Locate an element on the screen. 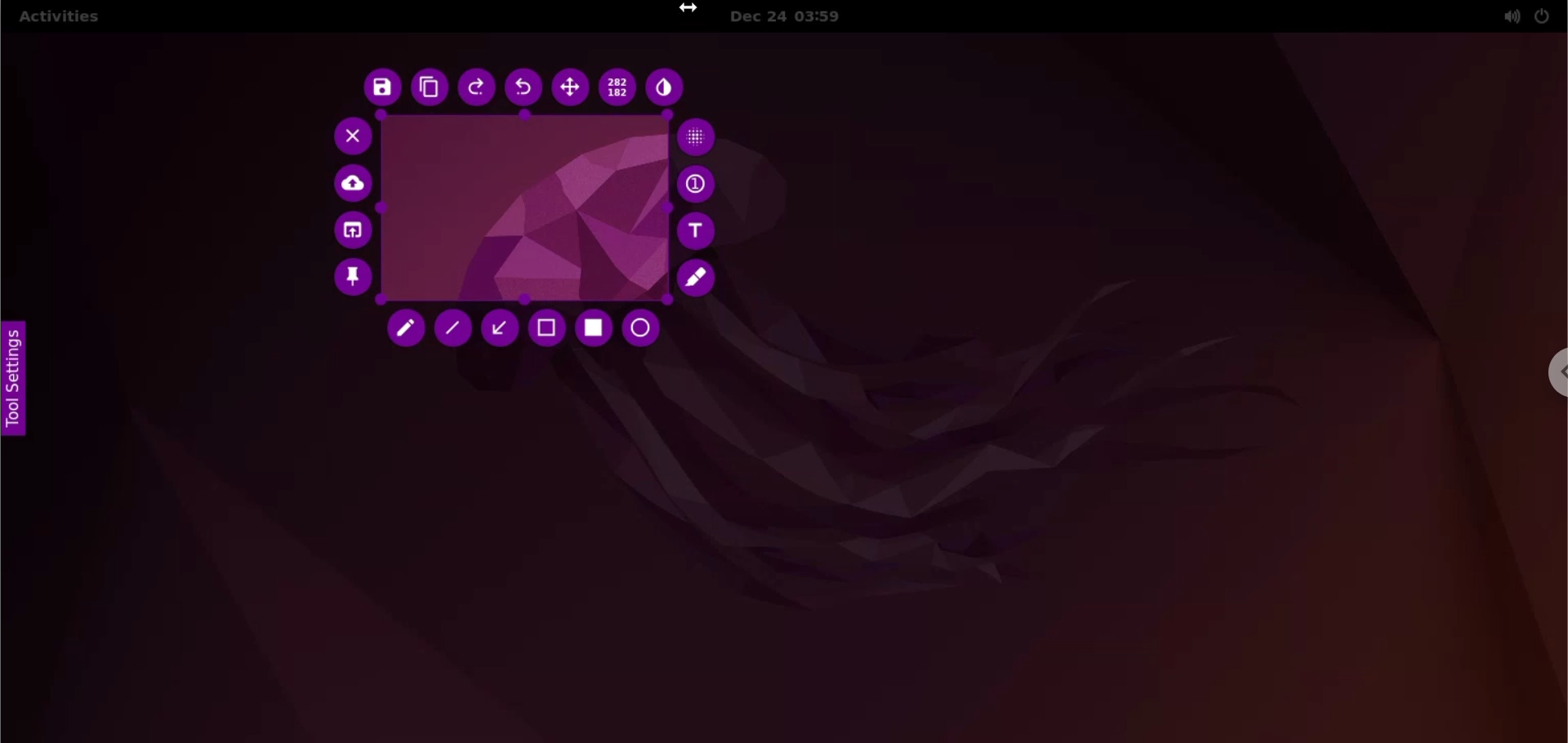 This screenshot has height=743, width=1568. x and y coordinates is located at coordinates (614, 87).